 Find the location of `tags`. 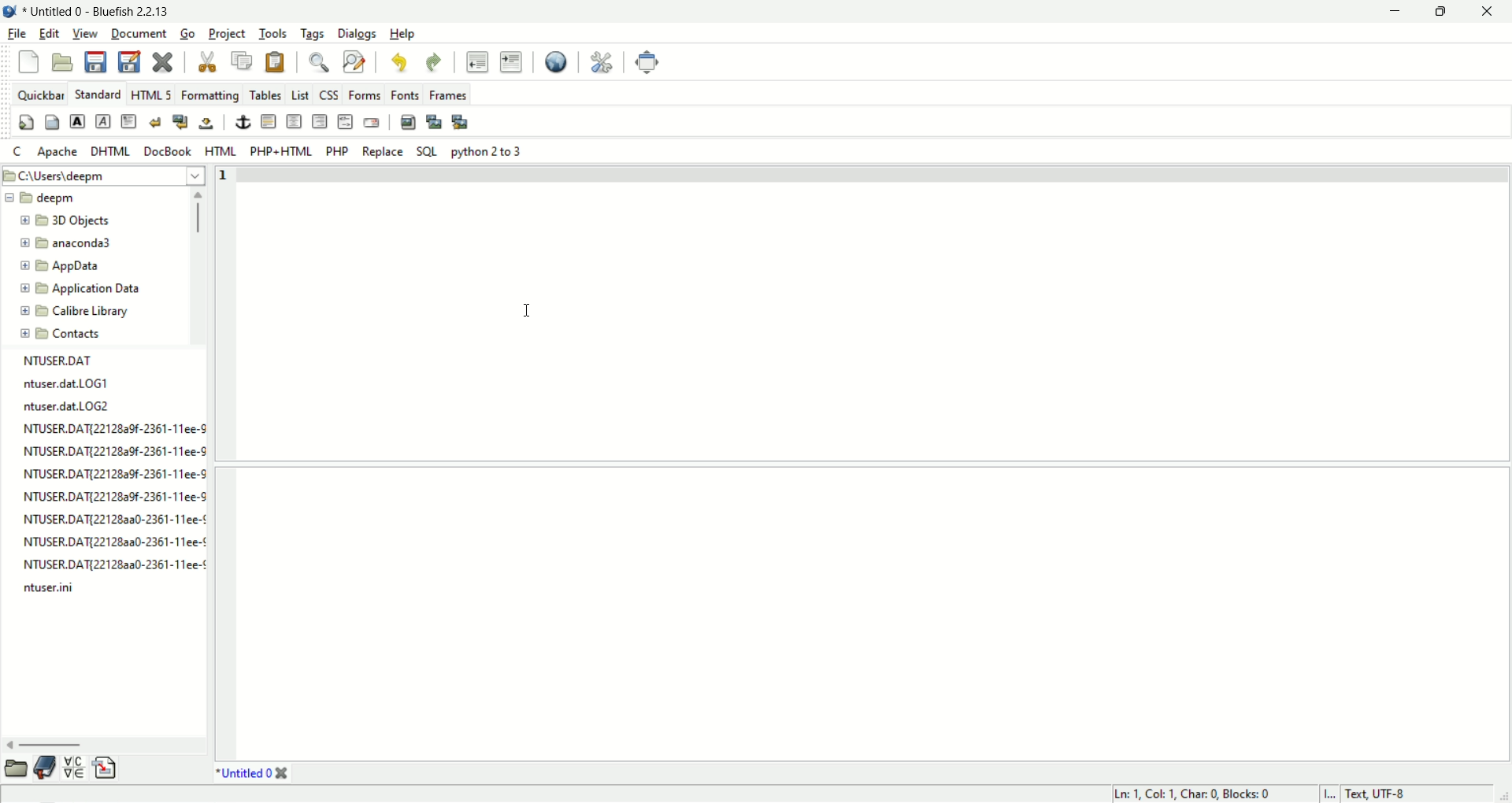

tags is located at coordinates (313, 32).